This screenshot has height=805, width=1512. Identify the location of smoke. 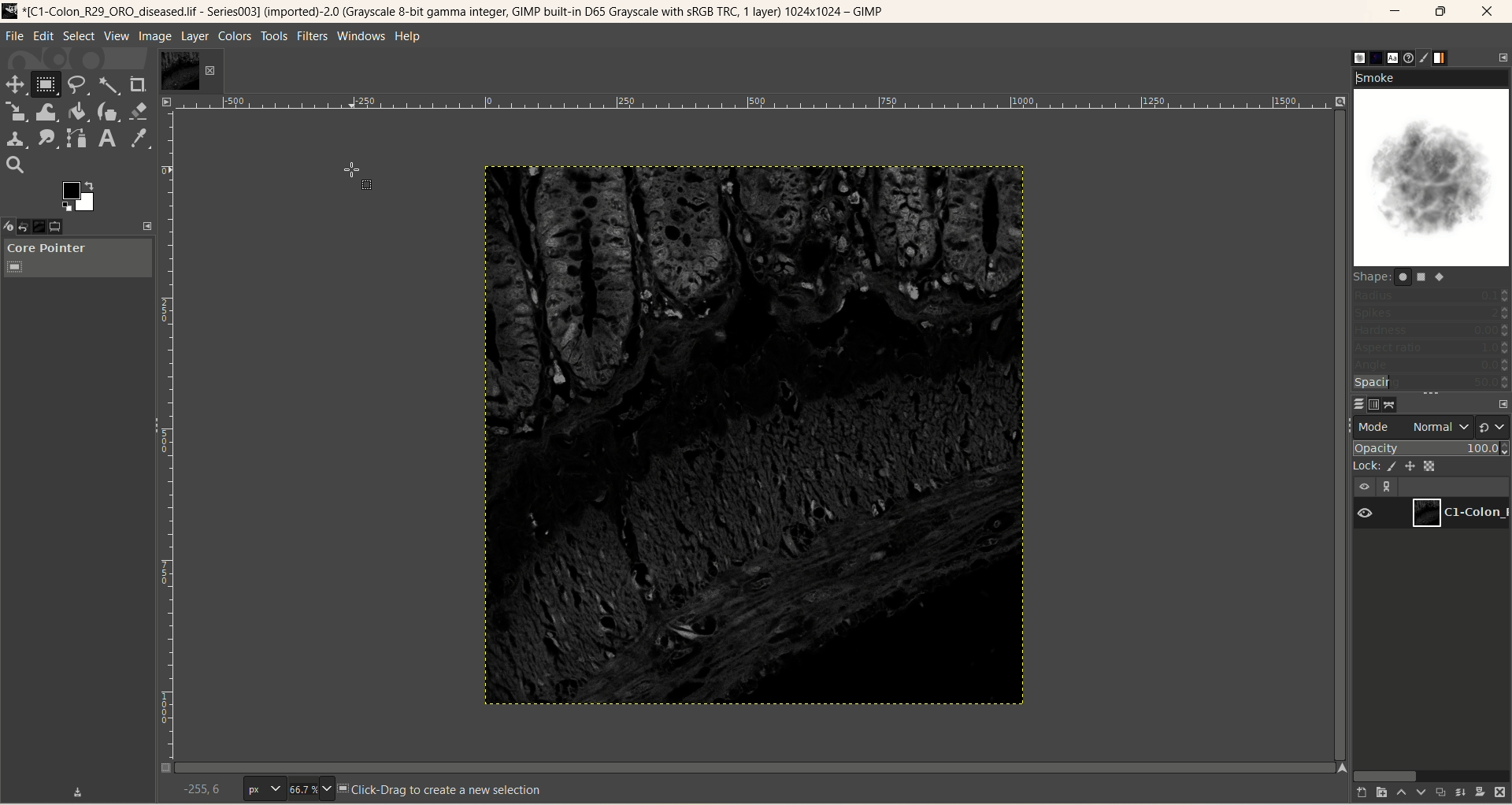
(1432, 165).